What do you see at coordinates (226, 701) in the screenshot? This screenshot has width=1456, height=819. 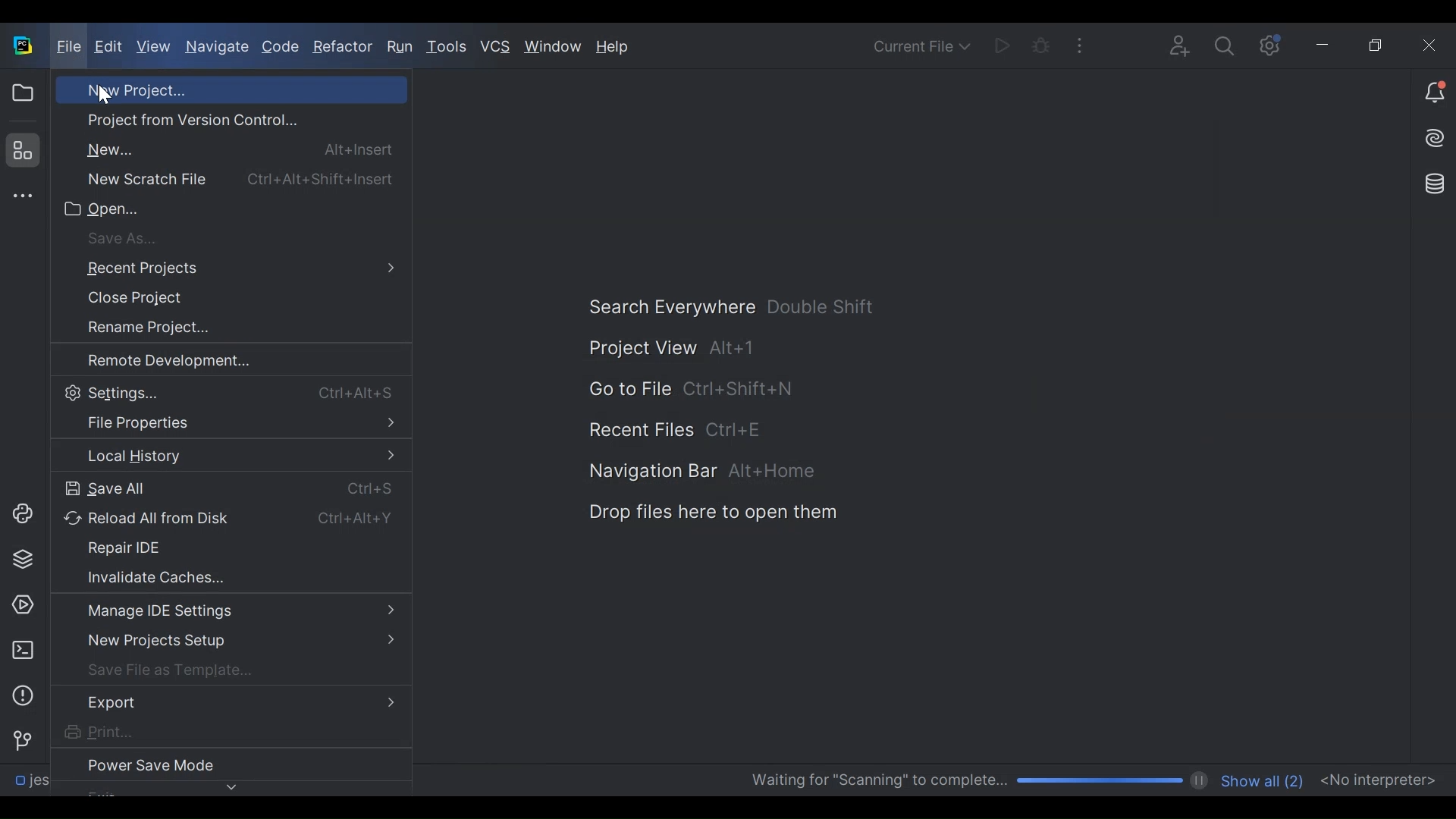 I see `Export` at bounding box center [226, 701].